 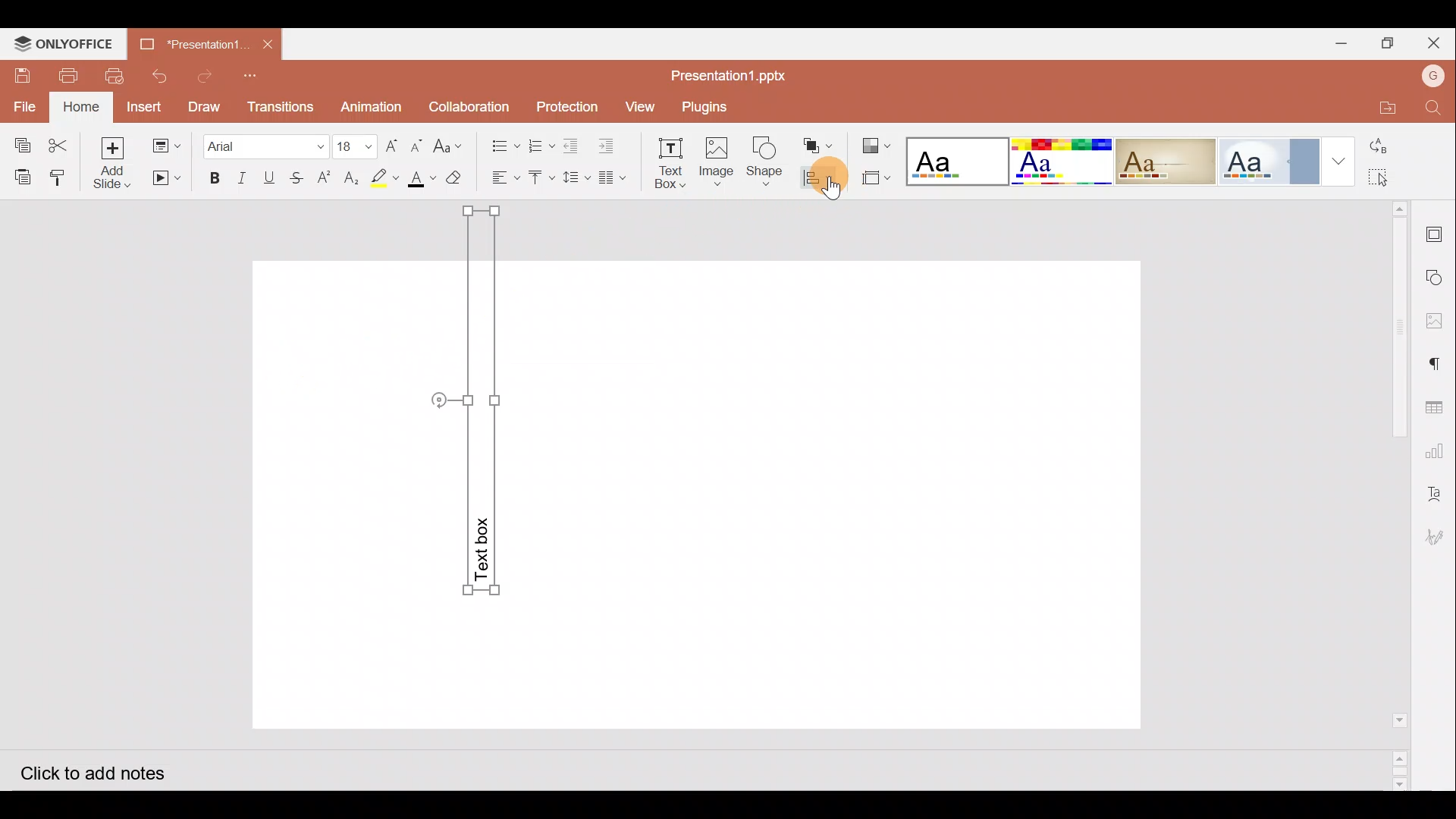 What do you see at coordinates (61, 43) in the screenshot?
I see `ONLYOFFICE` at bounding box center [61, 43].